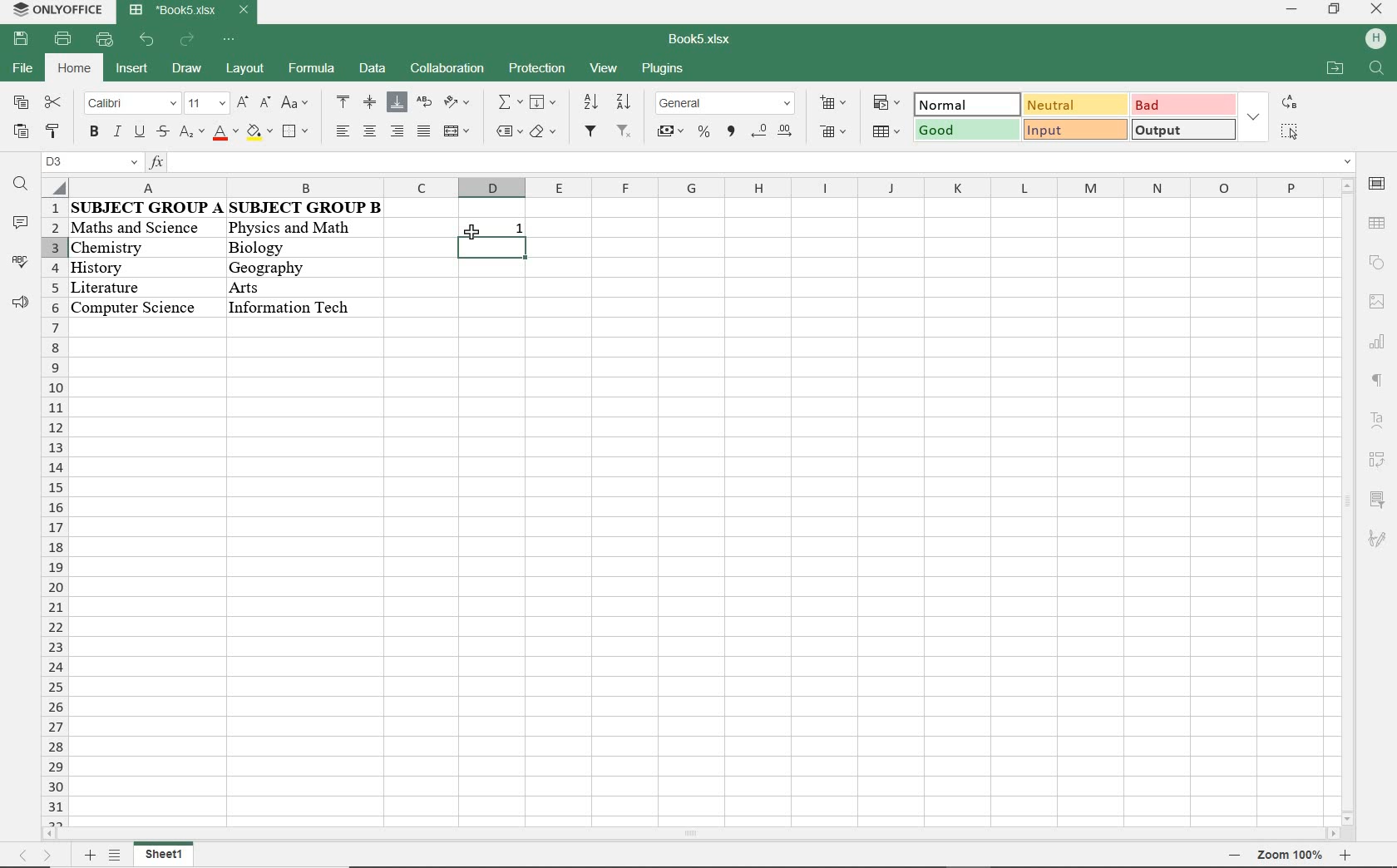 Image resolution: width=1397 pixels, height=868 pixels. Describe the element at coordinates (143, 248) in the screenshot. I see `chemistry` at that location.